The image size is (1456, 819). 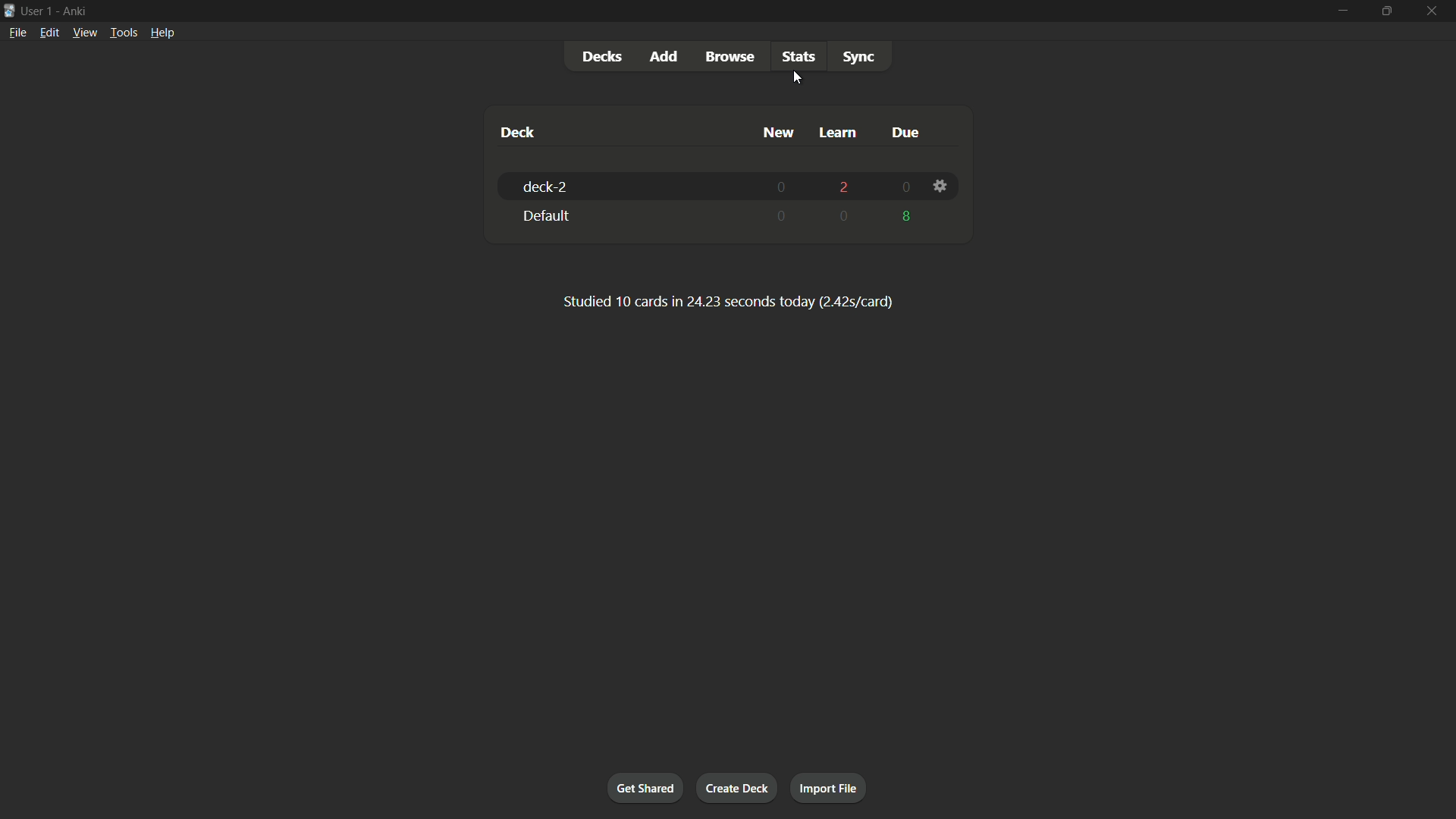 What do you see at coordinates (783, 185) in the screenshot?
I see `0` at bounding box center [783, 185].